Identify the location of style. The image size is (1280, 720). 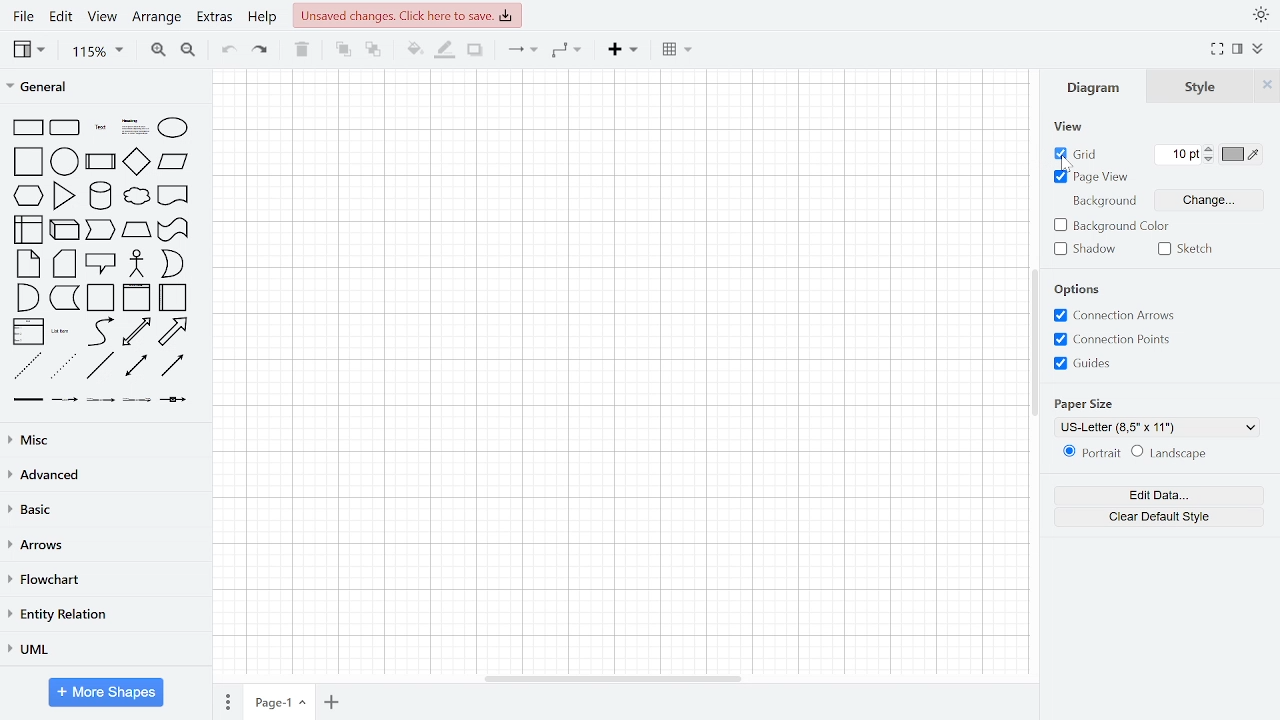
(1202, 87).